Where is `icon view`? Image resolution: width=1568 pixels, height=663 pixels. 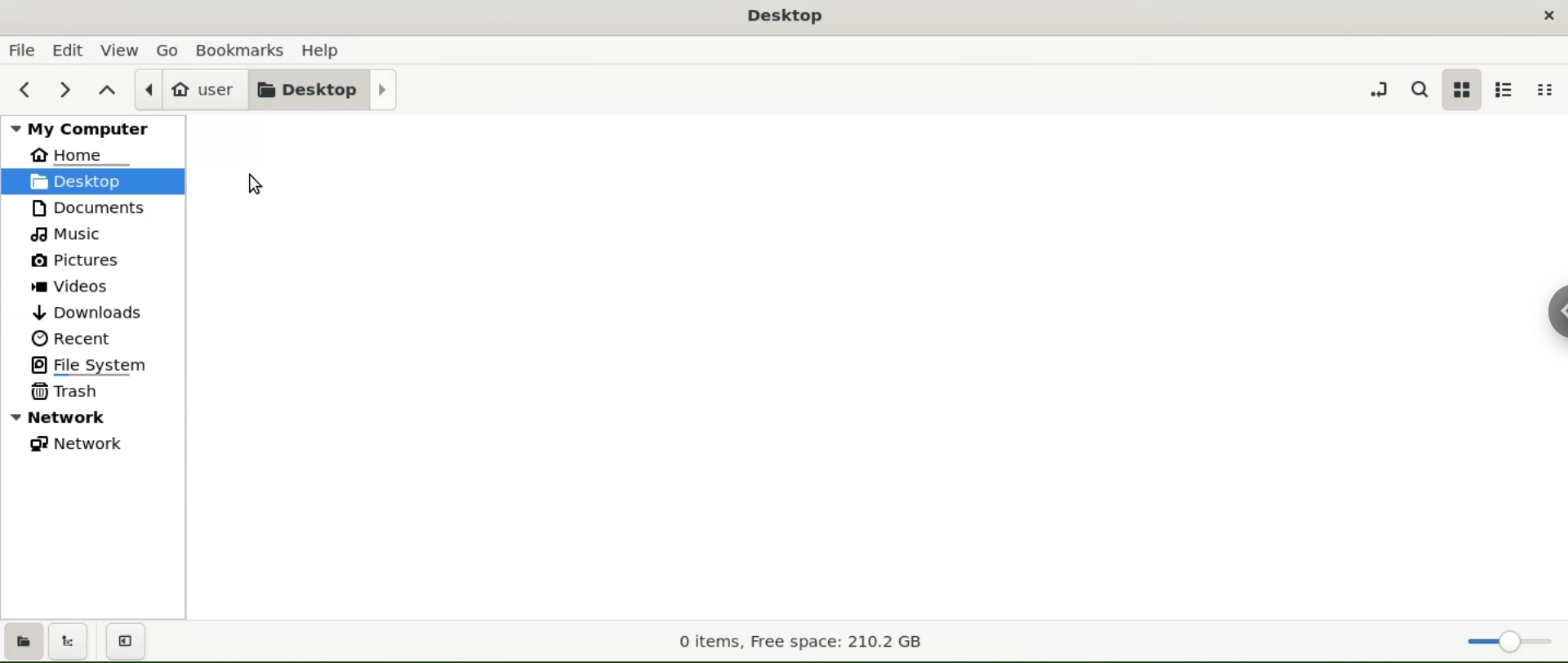 icon view is located at coordinates (1463, 89).